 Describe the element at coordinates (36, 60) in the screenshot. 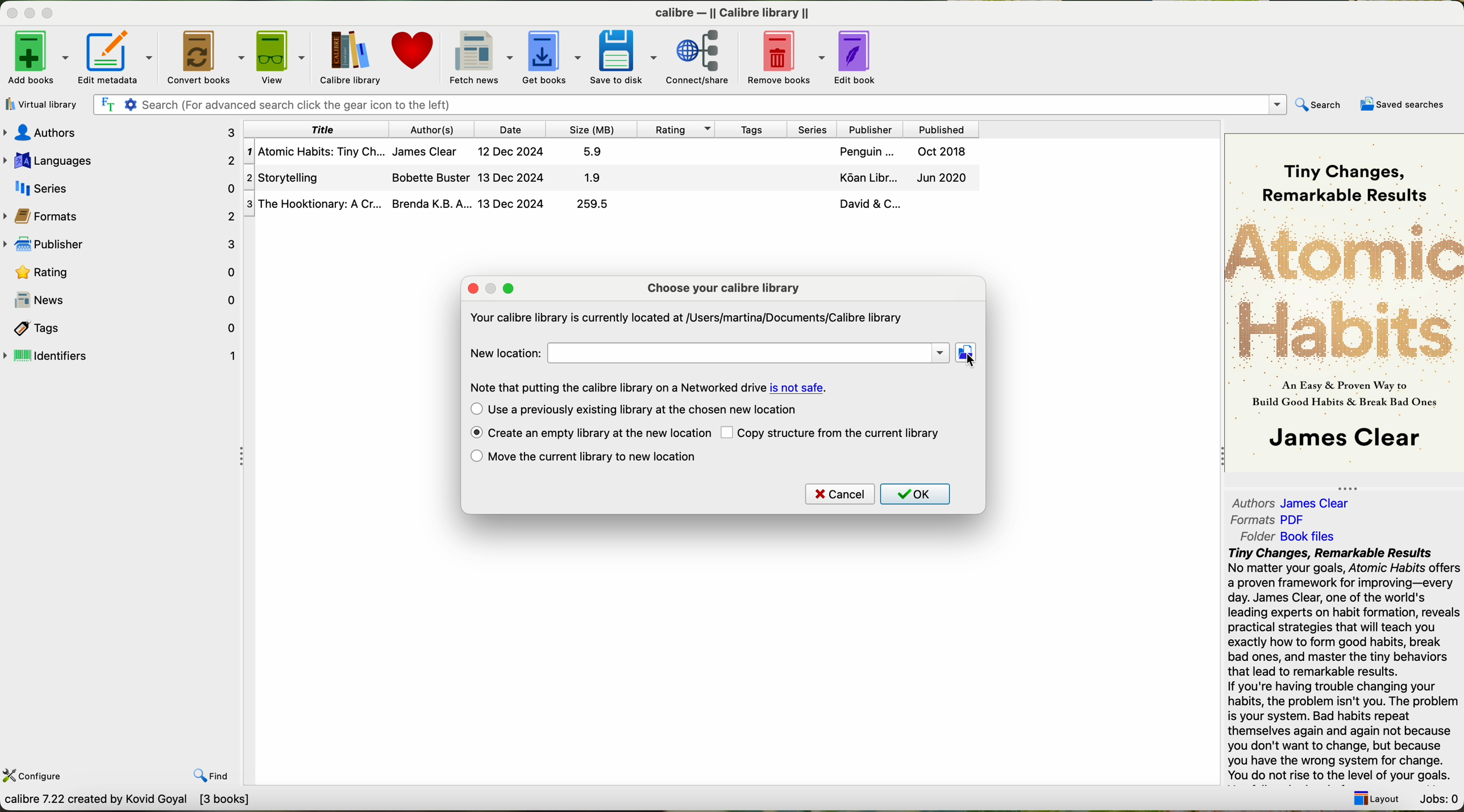

I see `add books` at that location.